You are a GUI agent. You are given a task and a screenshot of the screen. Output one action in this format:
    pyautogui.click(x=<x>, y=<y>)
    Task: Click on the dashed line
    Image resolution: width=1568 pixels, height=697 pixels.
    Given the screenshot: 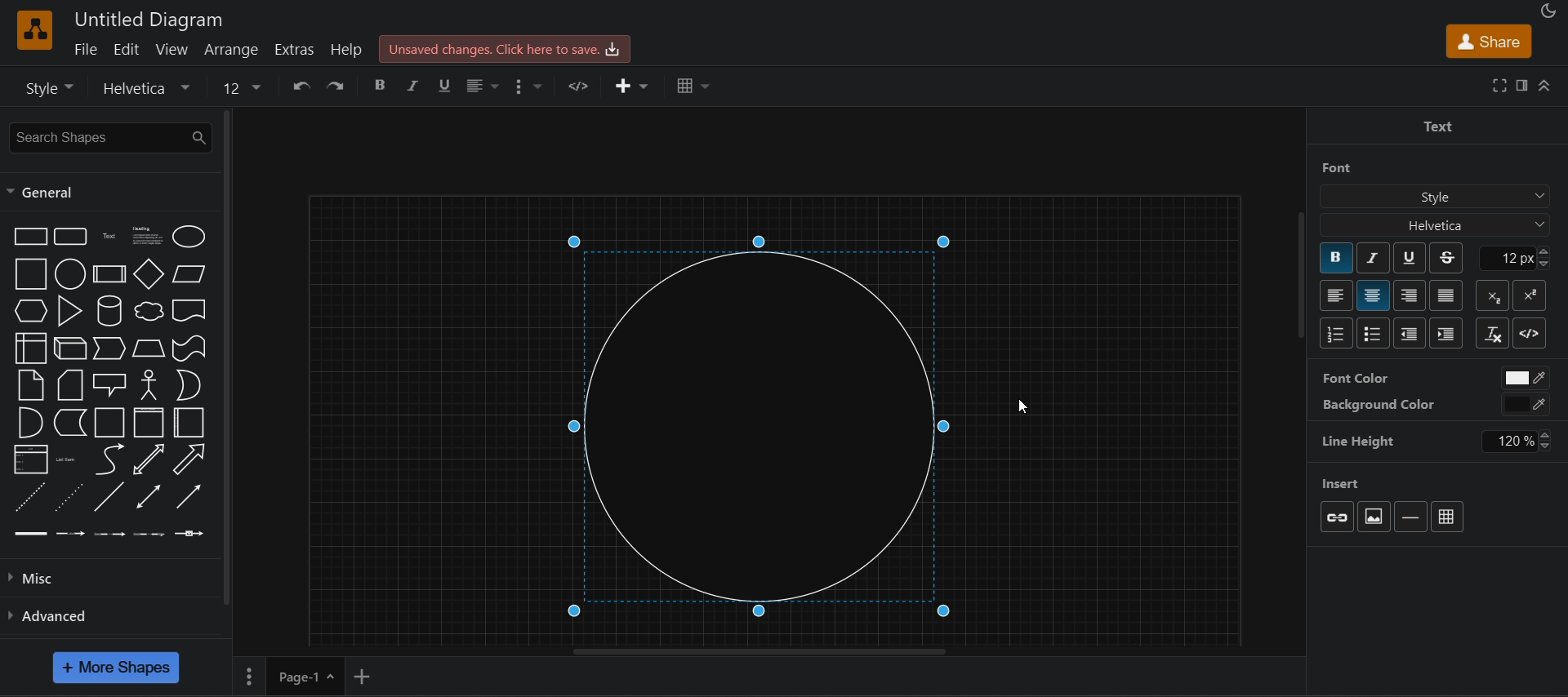 What is the action you would take?
    pyautogui.click(x=26, y=499)
    